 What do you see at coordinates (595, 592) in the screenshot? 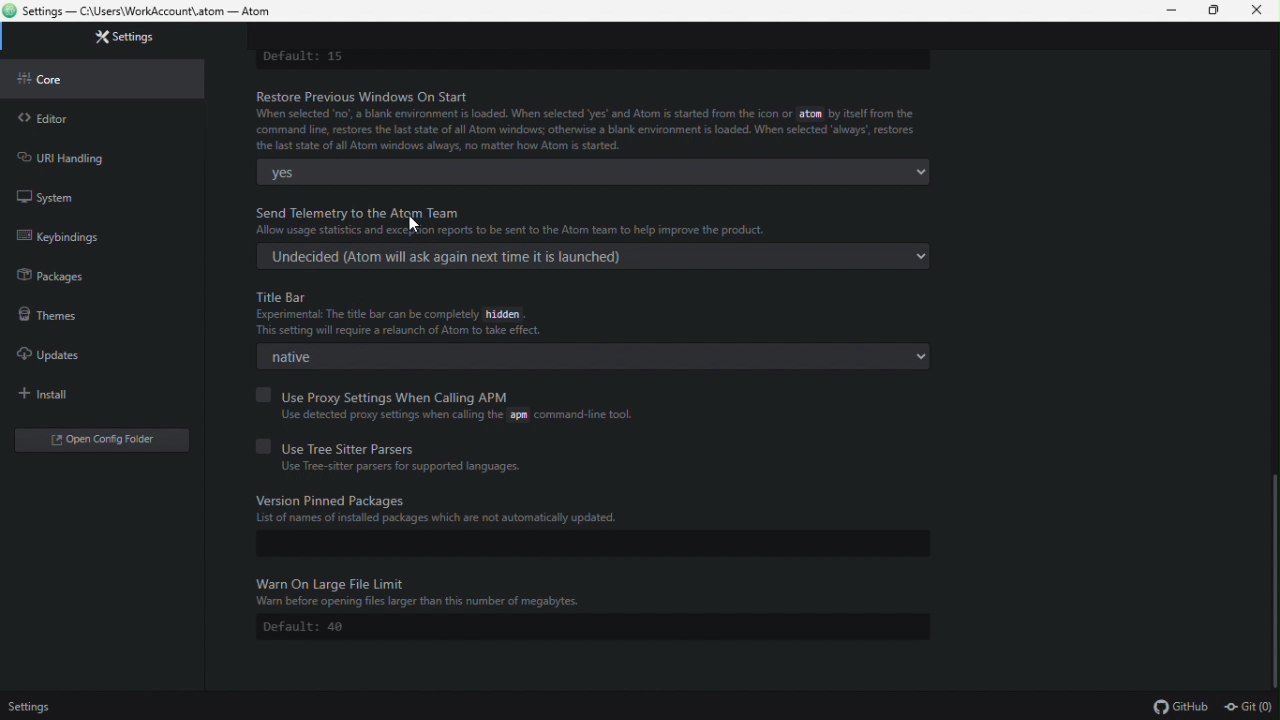
I see `Warn On Large File Limit Warn before opening file lager than this number of megabytes.` at bounding box center [595, 592].